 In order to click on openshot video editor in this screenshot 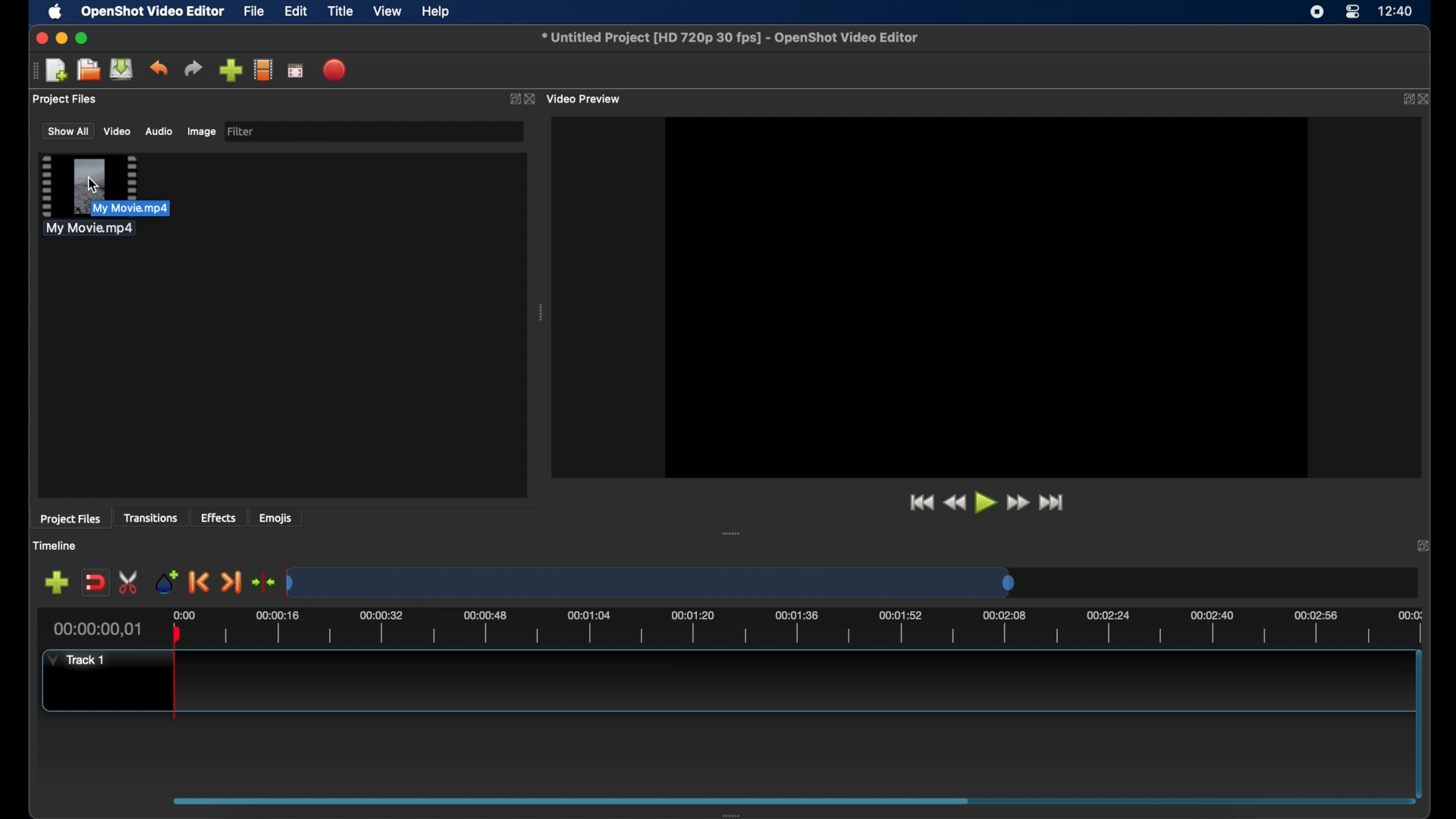, I will do `click(154, 12)`.